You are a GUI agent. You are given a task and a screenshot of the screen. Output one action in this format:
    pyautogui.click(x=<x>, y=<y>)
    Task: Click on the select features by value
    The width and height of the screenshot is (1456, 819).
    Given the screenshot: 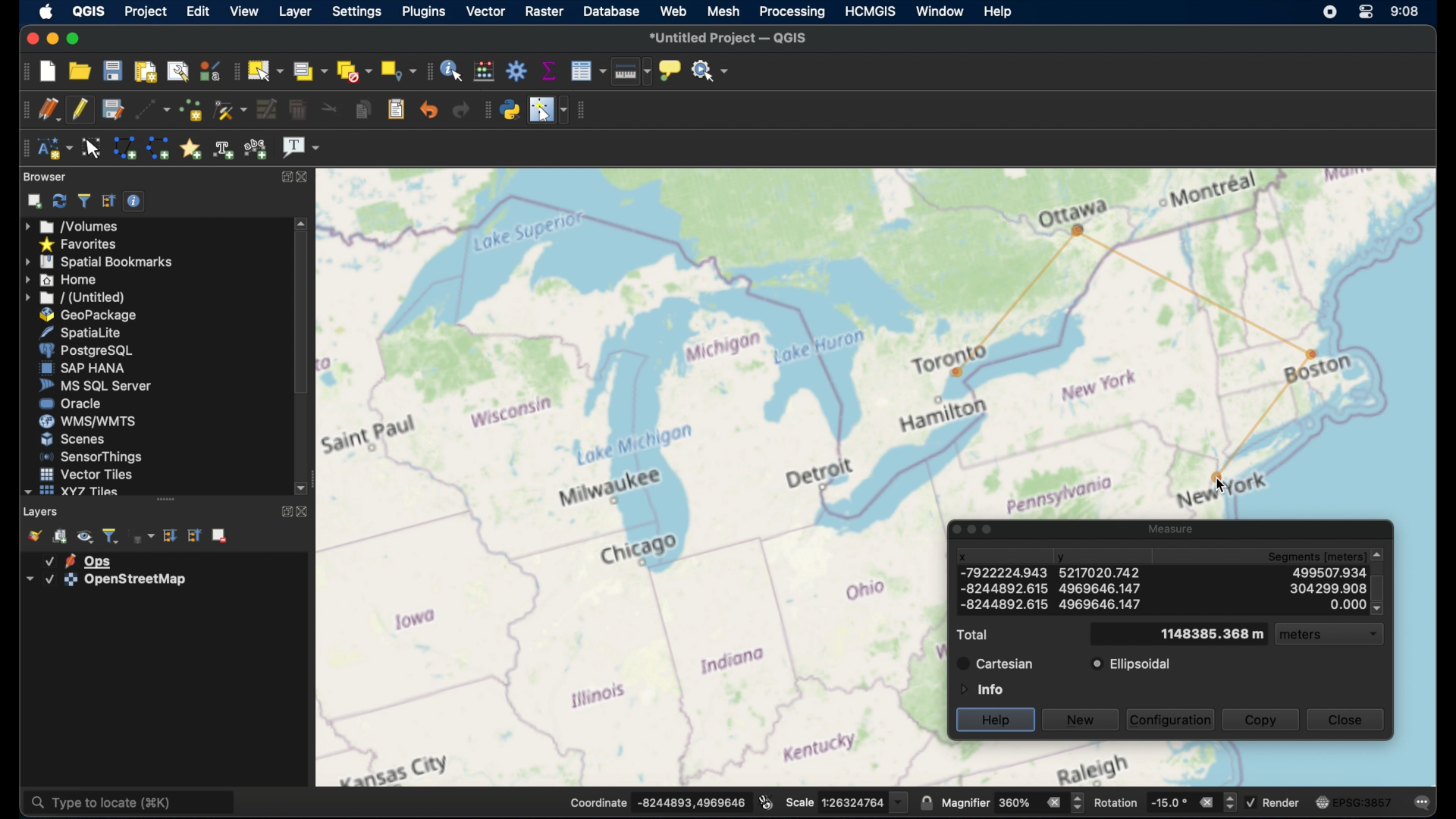 What is the action you would take?
    pyautogui.click(x=310, y=71)
    